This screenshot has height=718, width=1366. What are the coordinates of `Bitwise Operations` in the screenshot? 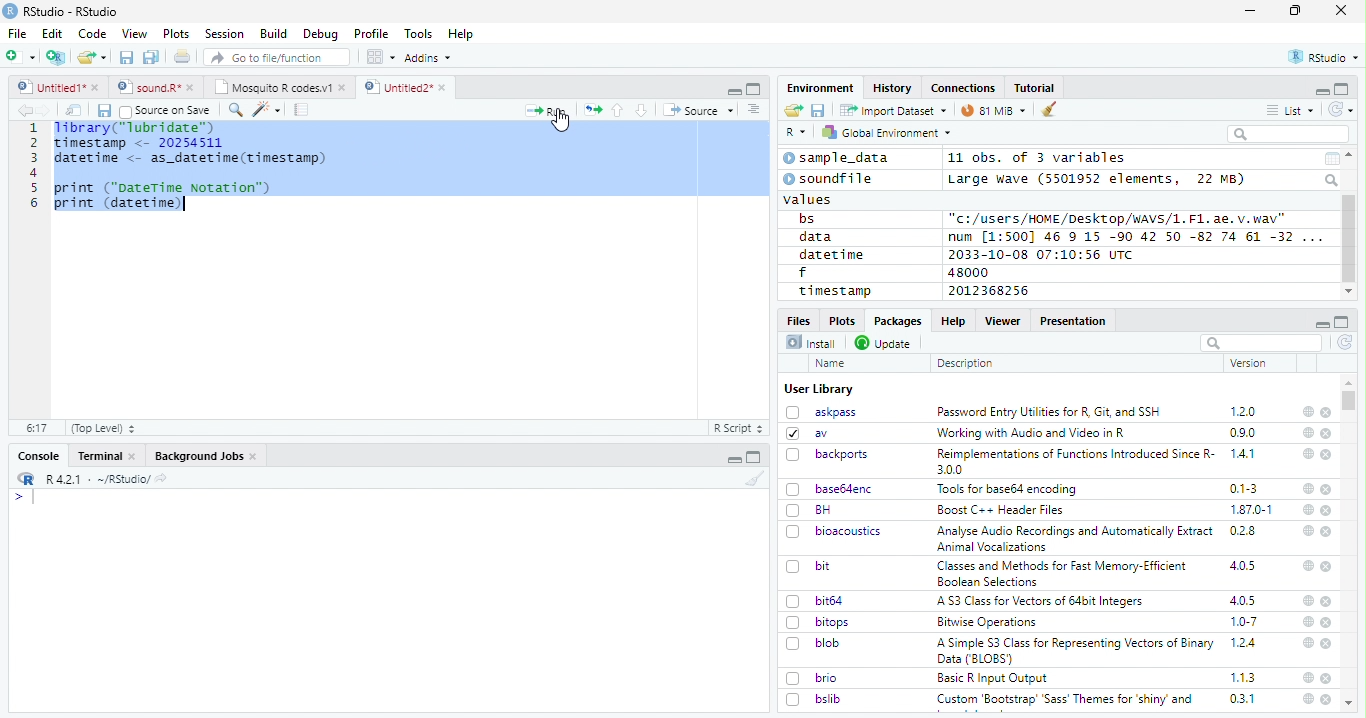 It's located at (989, 622).